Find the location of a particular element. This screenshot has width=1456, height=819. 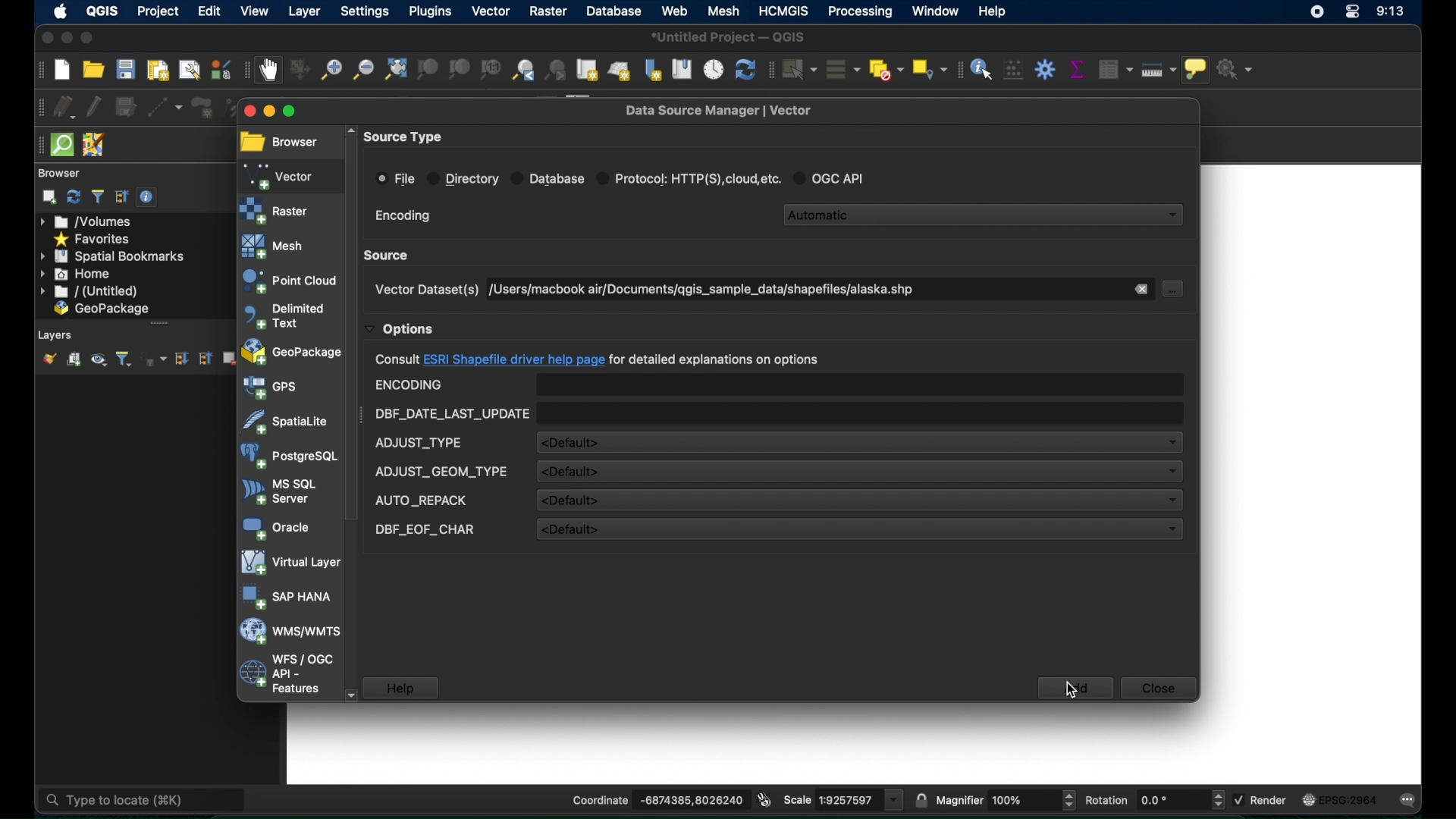

default drop-down is located at coordinates (859, 500).